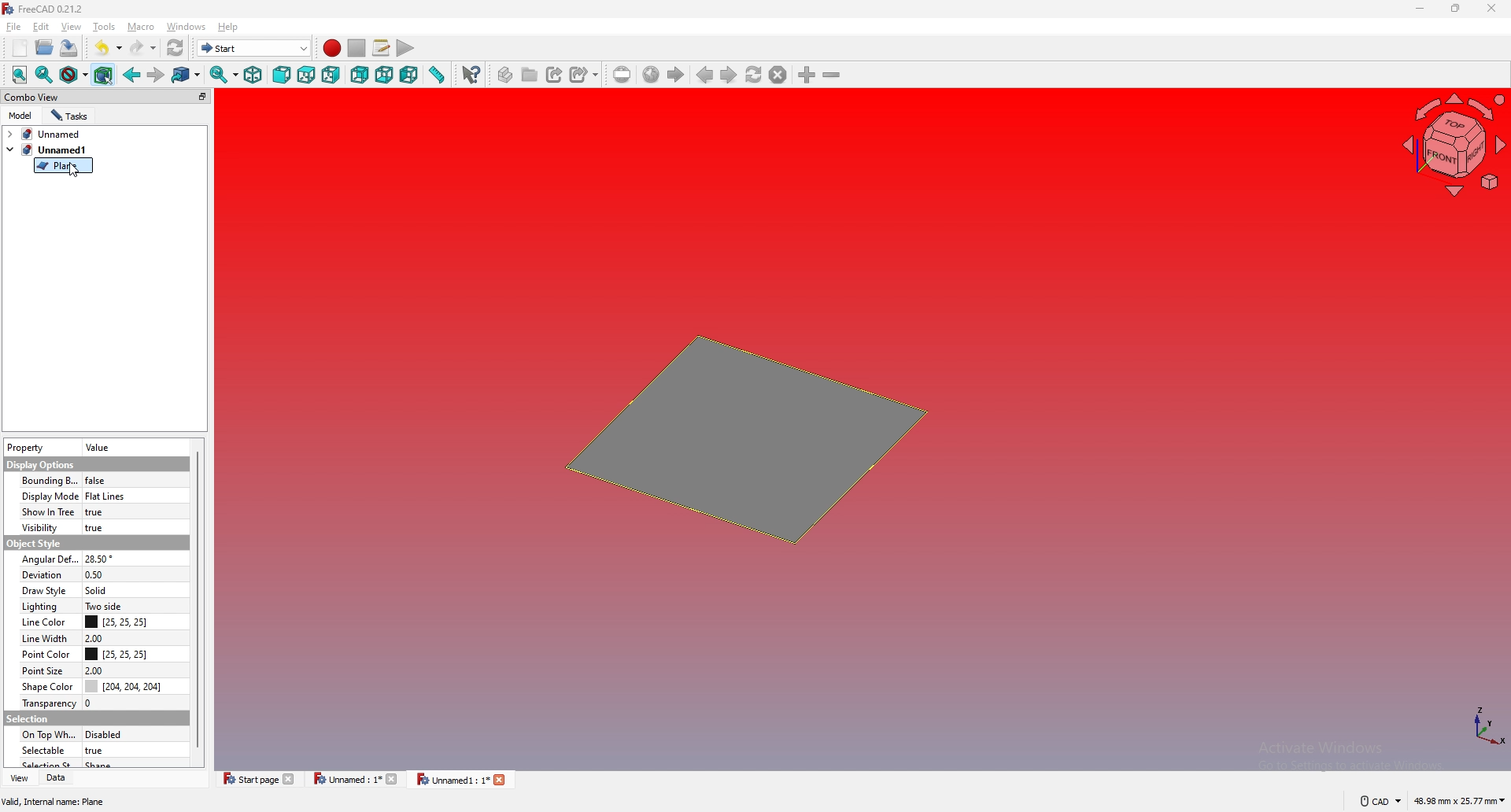 The height and width of the screenshot is (812, 1511). I want to click on display options, so click(40, 465).